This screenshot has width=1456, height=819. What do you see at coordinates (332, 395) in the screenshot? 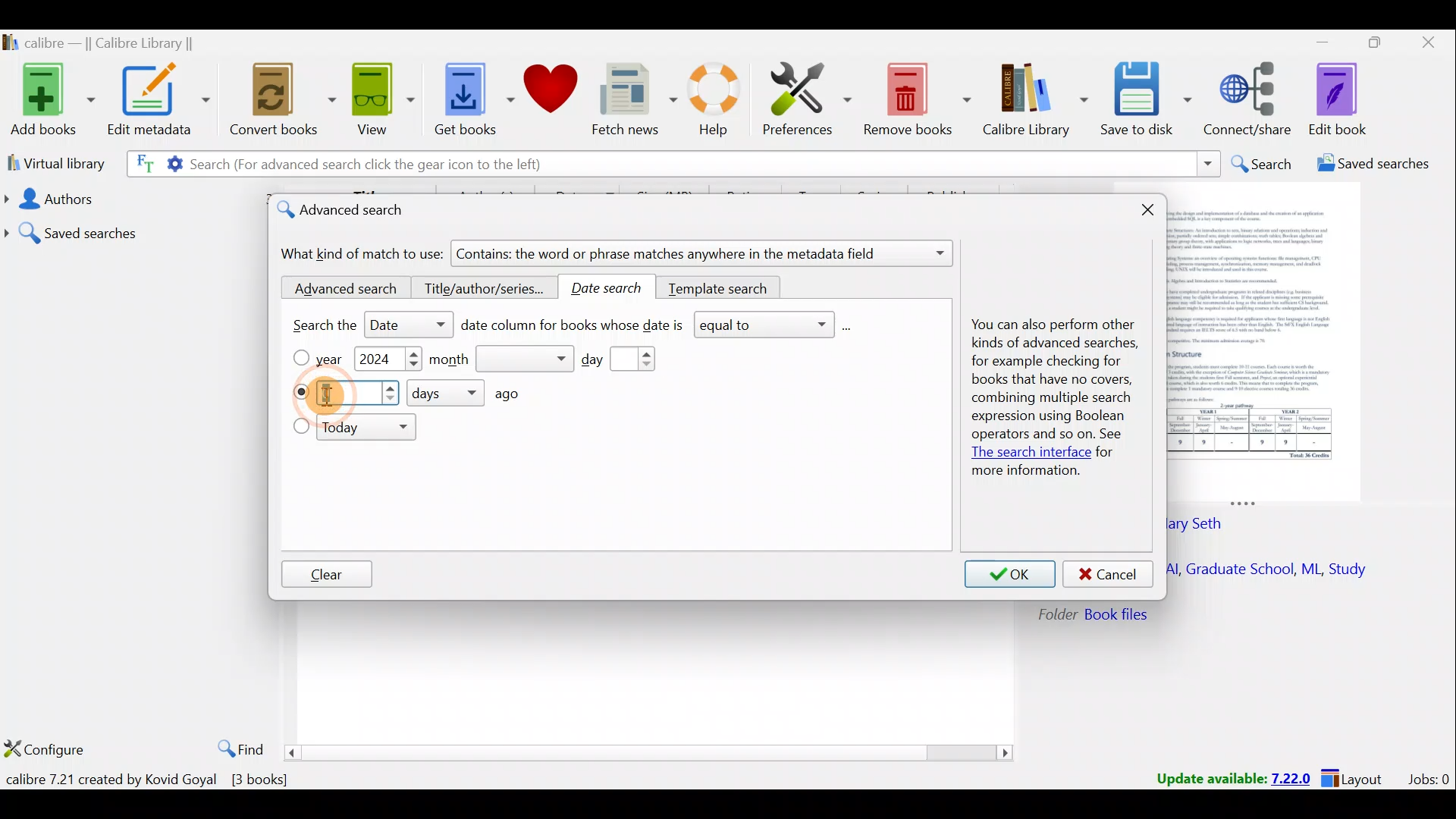
I see `Cursor` at bounding box center [332, 395].